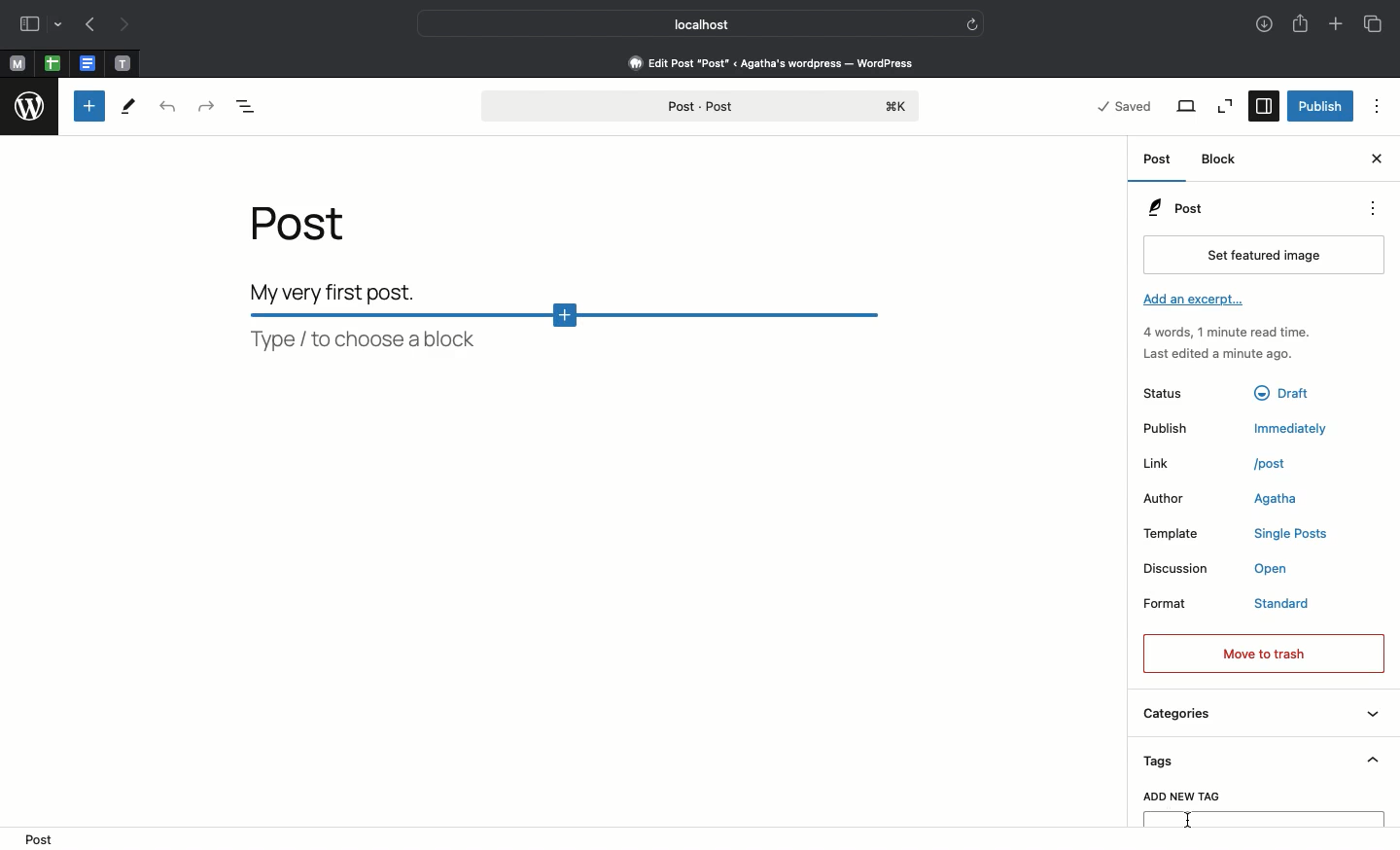  I want to click on Text box, so click(1265, 821).